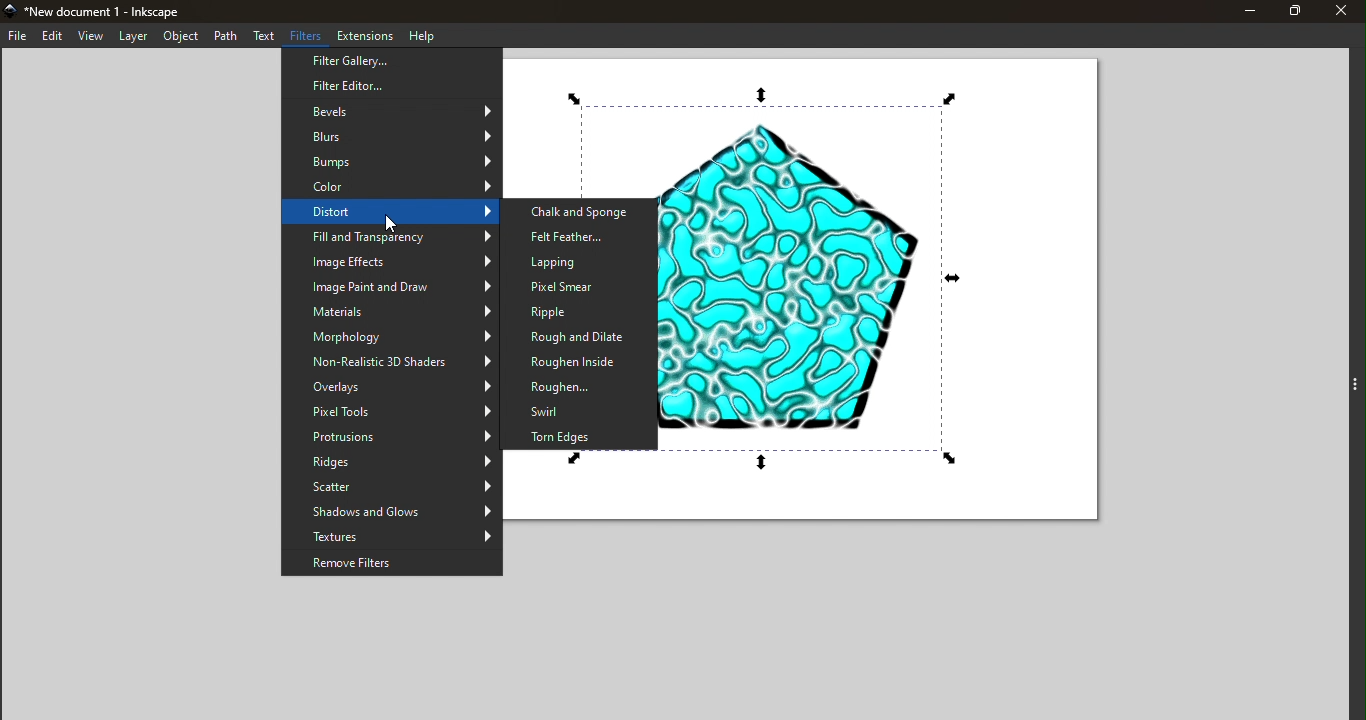 The image size is (1366, 720). What do you see at coordinates (16, 35) in the screenshot?
I see `File` at bounding box center [16, 35].